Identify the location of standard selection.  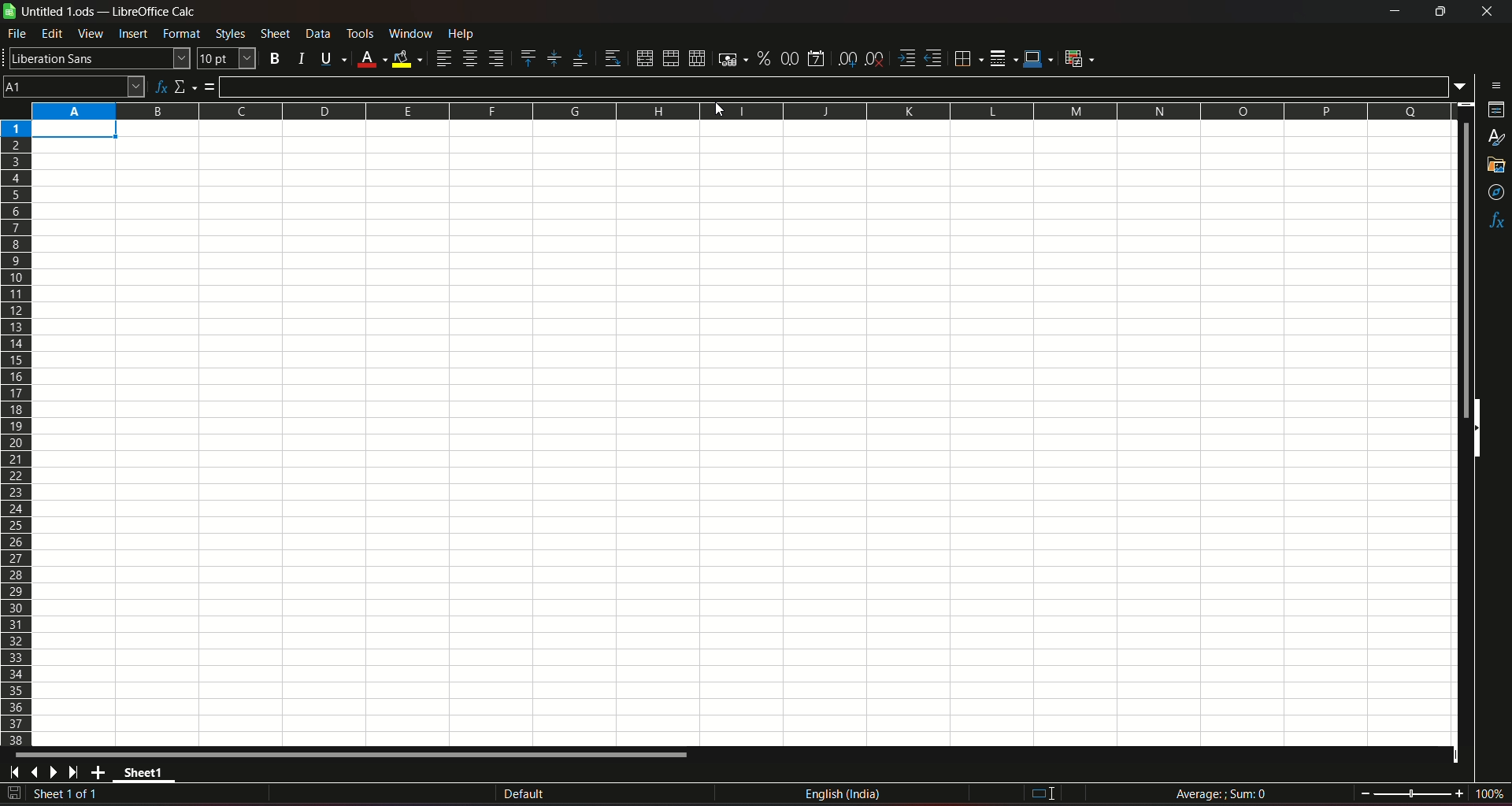
(1040, 793).